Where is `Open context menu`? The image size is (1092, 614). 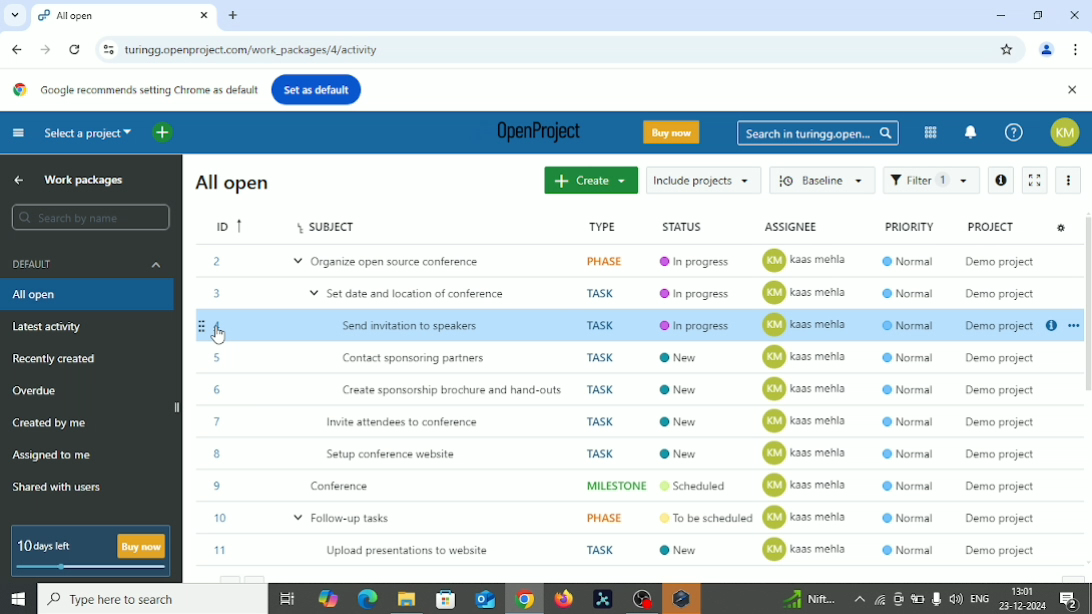
Open context menu is located at coordinates (1071, 325).